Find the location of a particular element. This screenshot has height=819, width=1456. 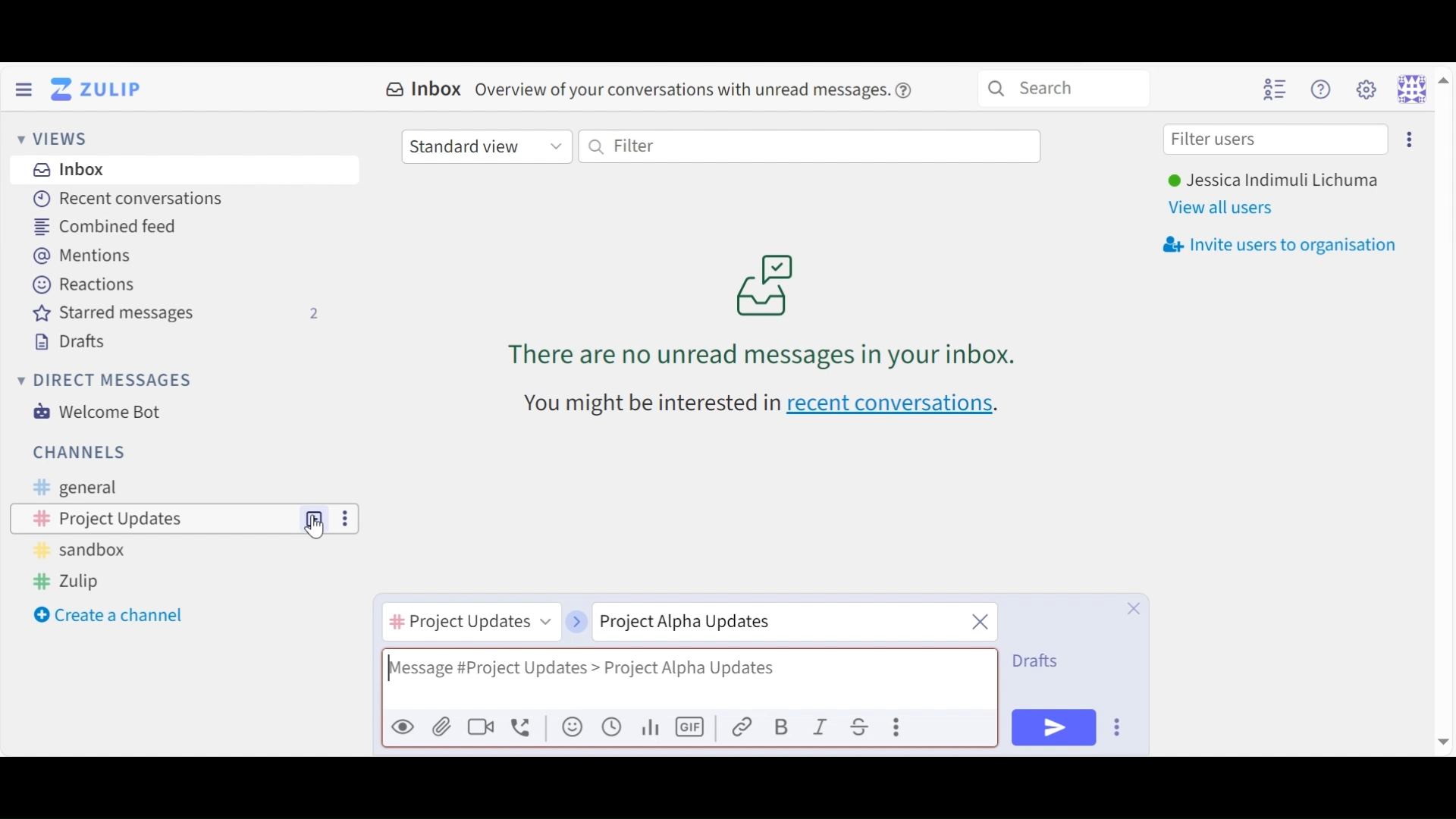

overview of conversations is located at coordinates (682, 91).